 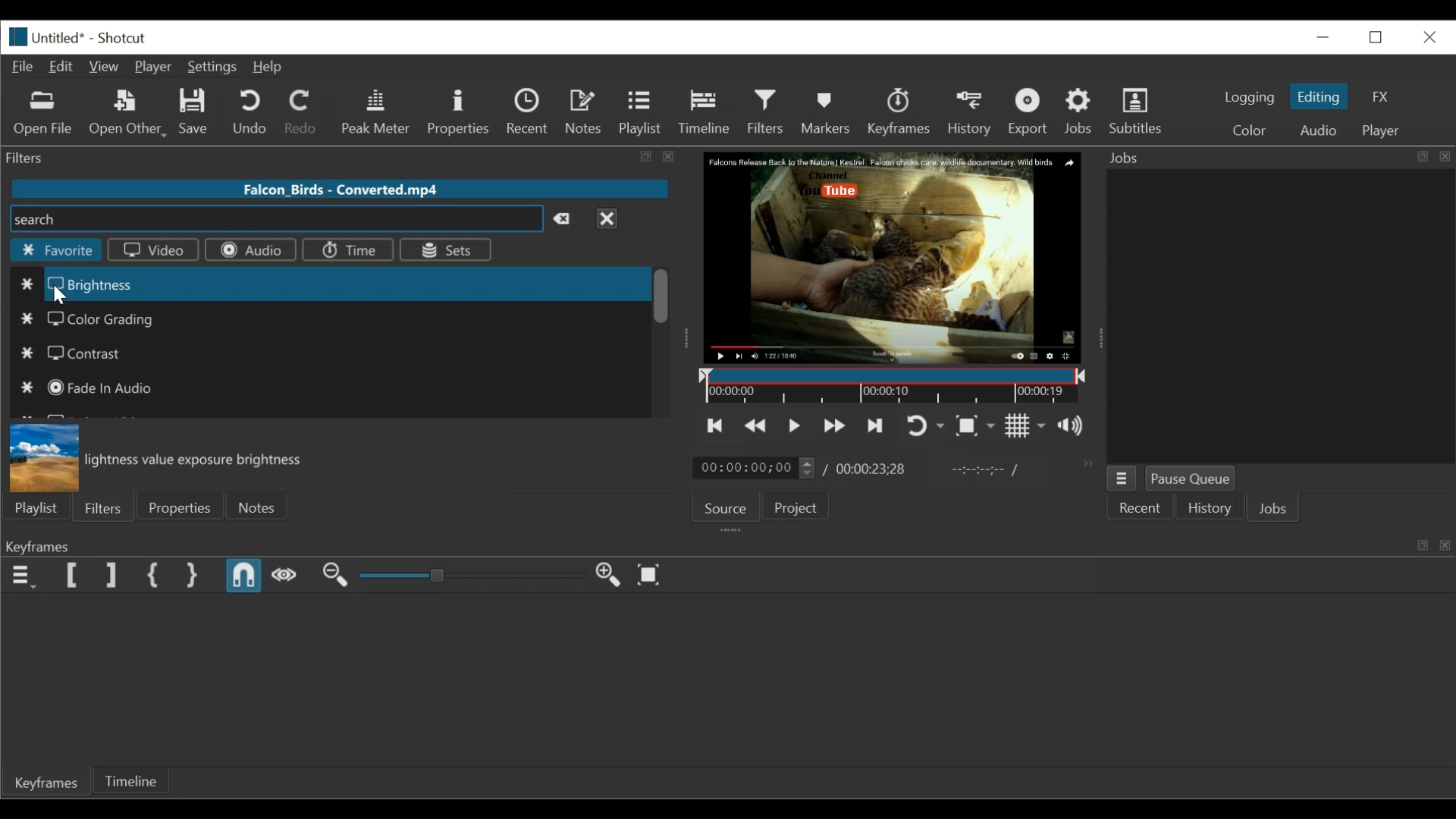 What do you see at coordinates (827, 111) in the screenshot?
I see `Markers` at bounding box center [827, 111].